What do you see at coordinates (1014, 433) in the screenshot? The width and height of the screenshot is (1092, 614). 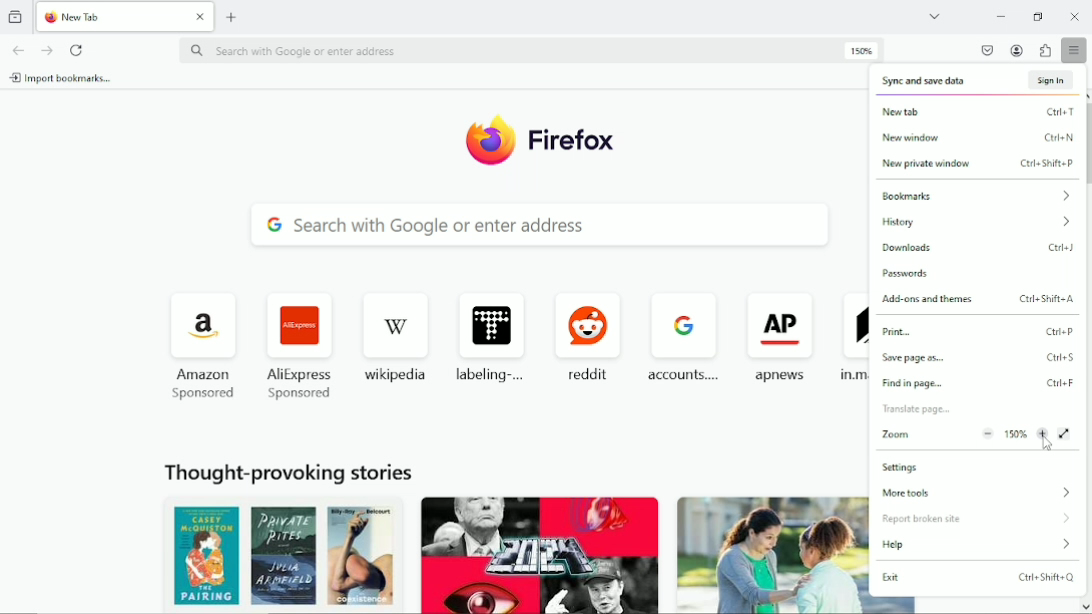 I see `150%` at bounding box center [1014, 433].